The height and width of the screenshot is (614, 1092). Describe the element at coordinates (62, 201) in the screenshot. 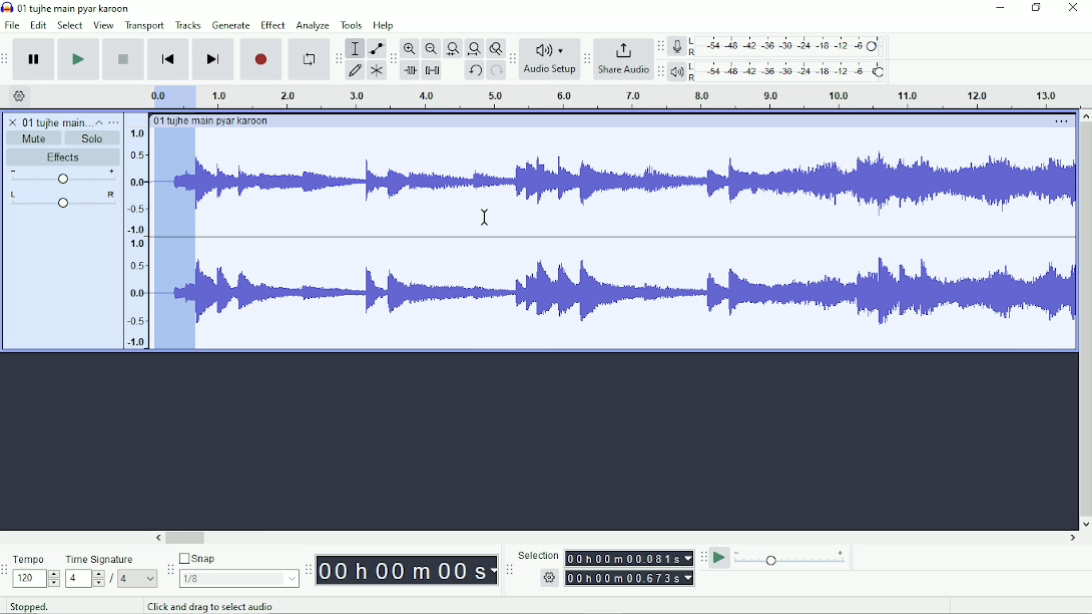

I see `Pan` at that location.